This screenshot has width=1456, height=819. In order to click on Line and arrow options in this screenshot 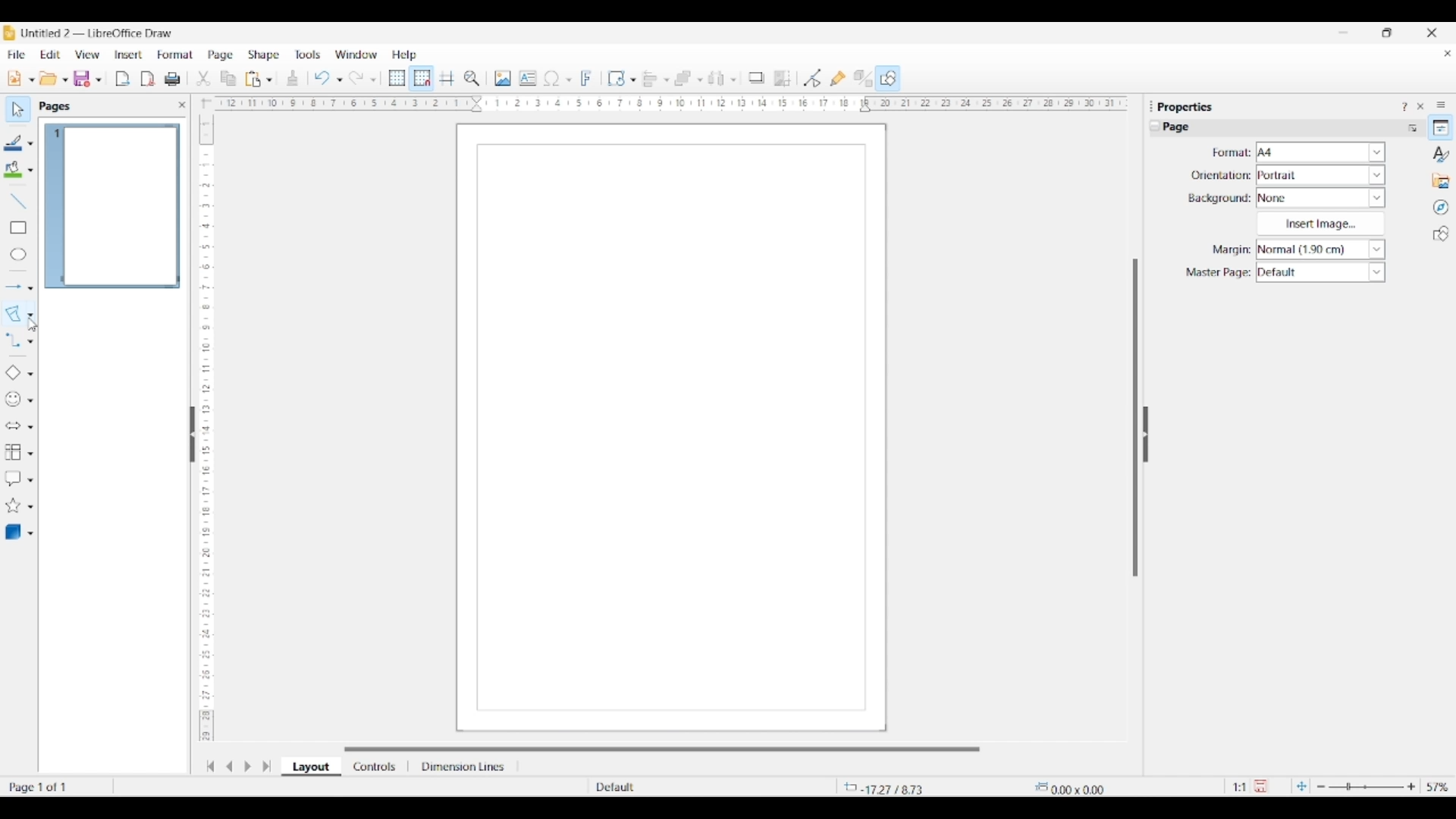, I will do `click(30, 288)`.